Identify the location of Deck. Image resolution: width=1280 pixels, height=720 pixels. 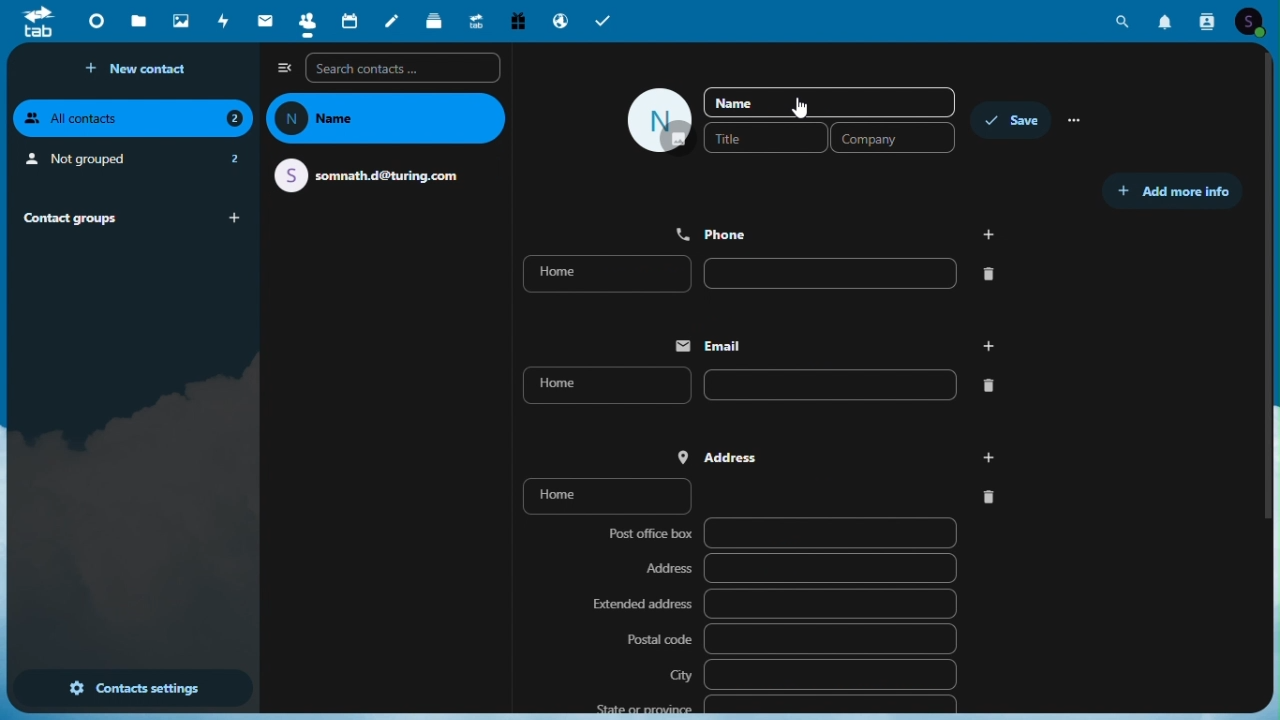
(436, 20).